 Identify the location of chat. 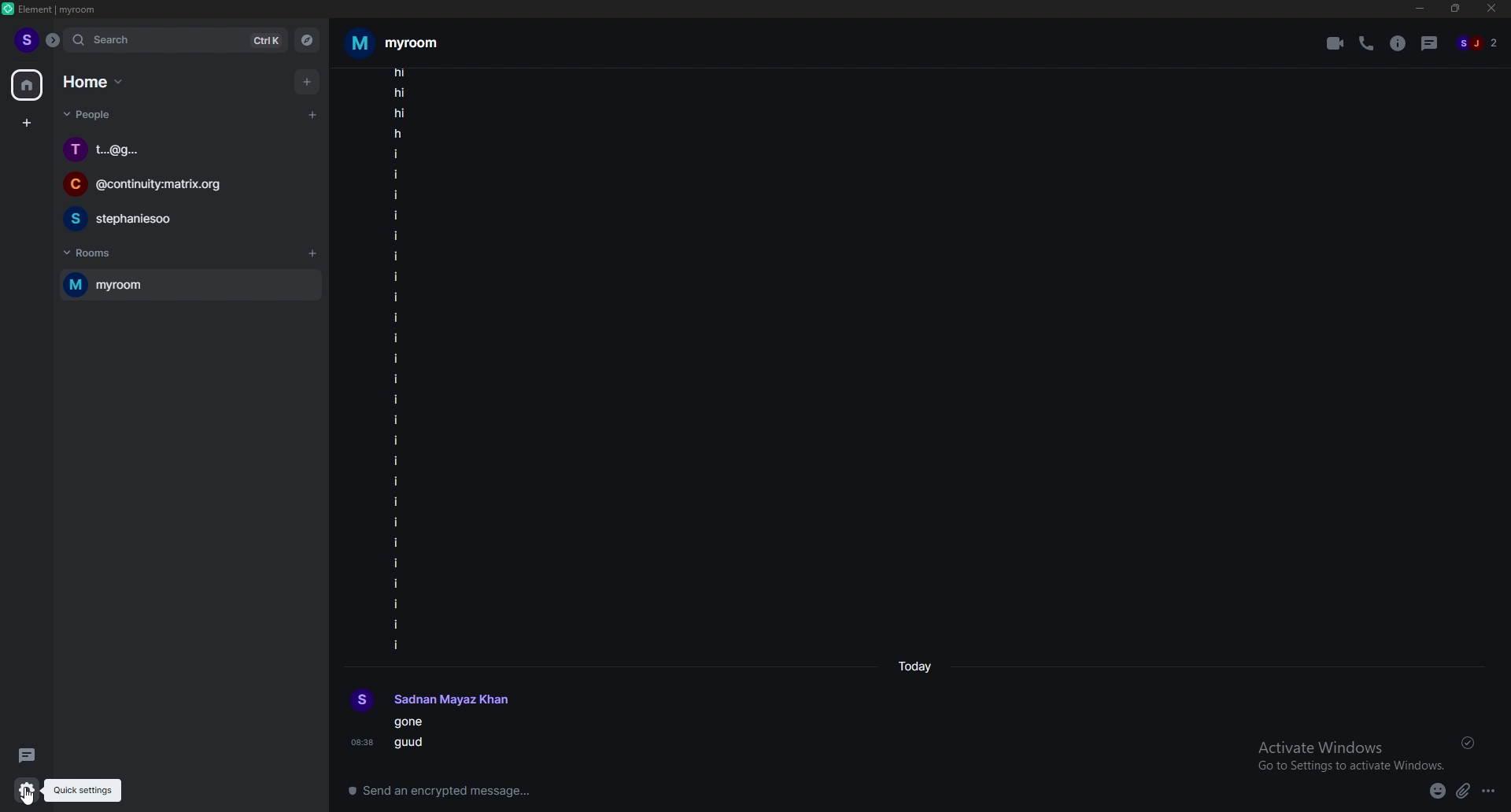
(182, 150).